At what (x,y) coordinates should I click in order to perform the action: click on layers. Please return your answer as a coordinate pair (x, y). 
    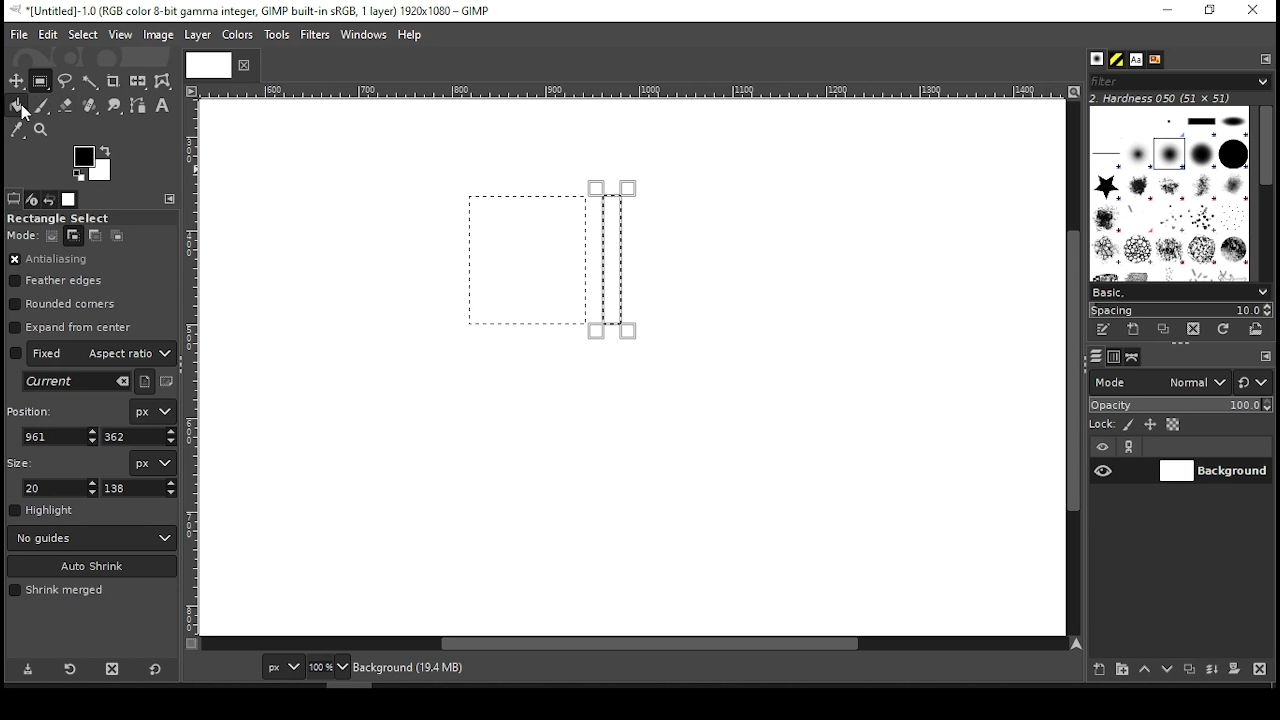
    Looking at the image, I should click on (1095, 357).